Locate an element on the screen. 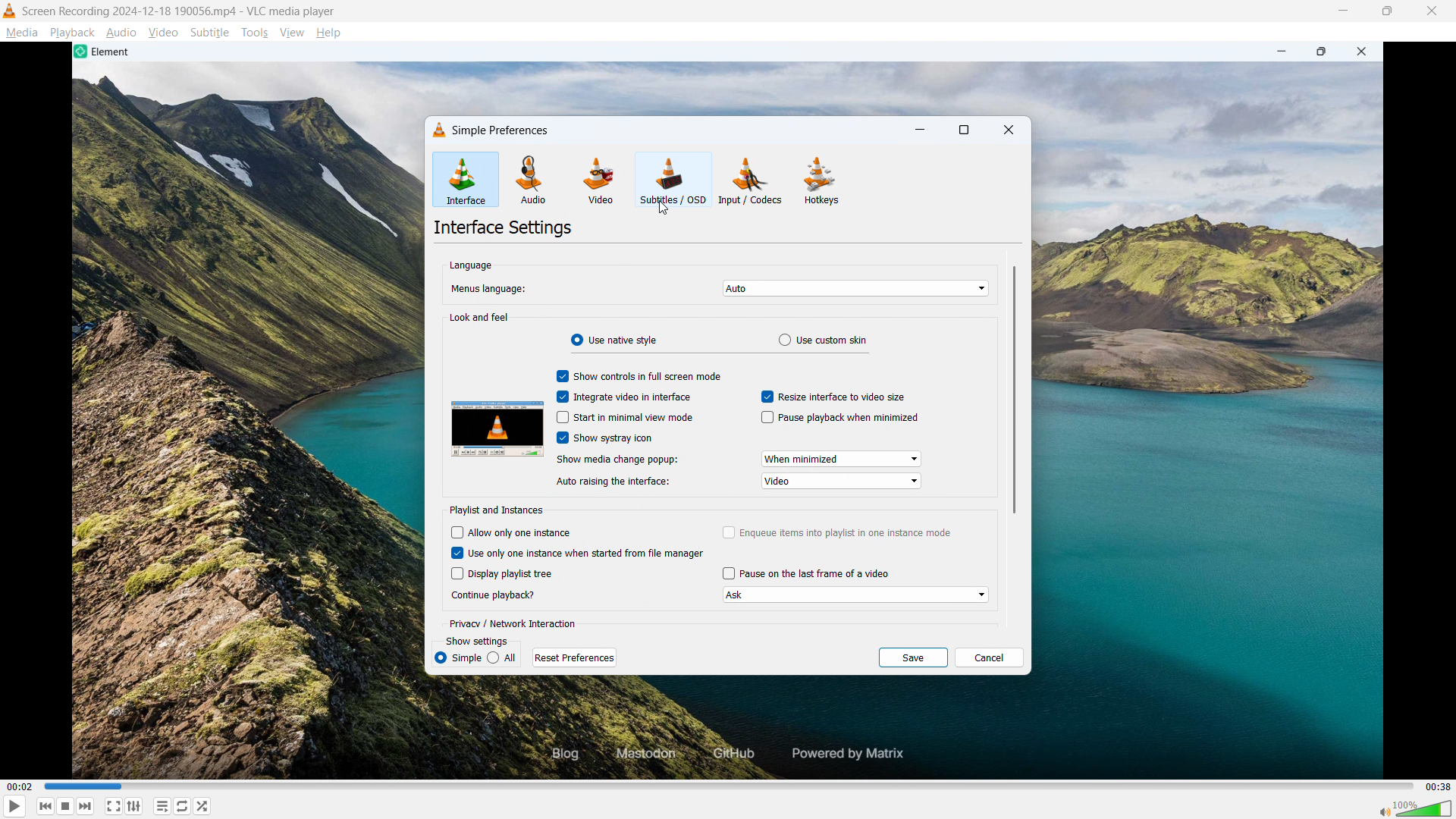 This screenshot has height=819, width=1456. Look and feel  is located at coordinates (481, 316).